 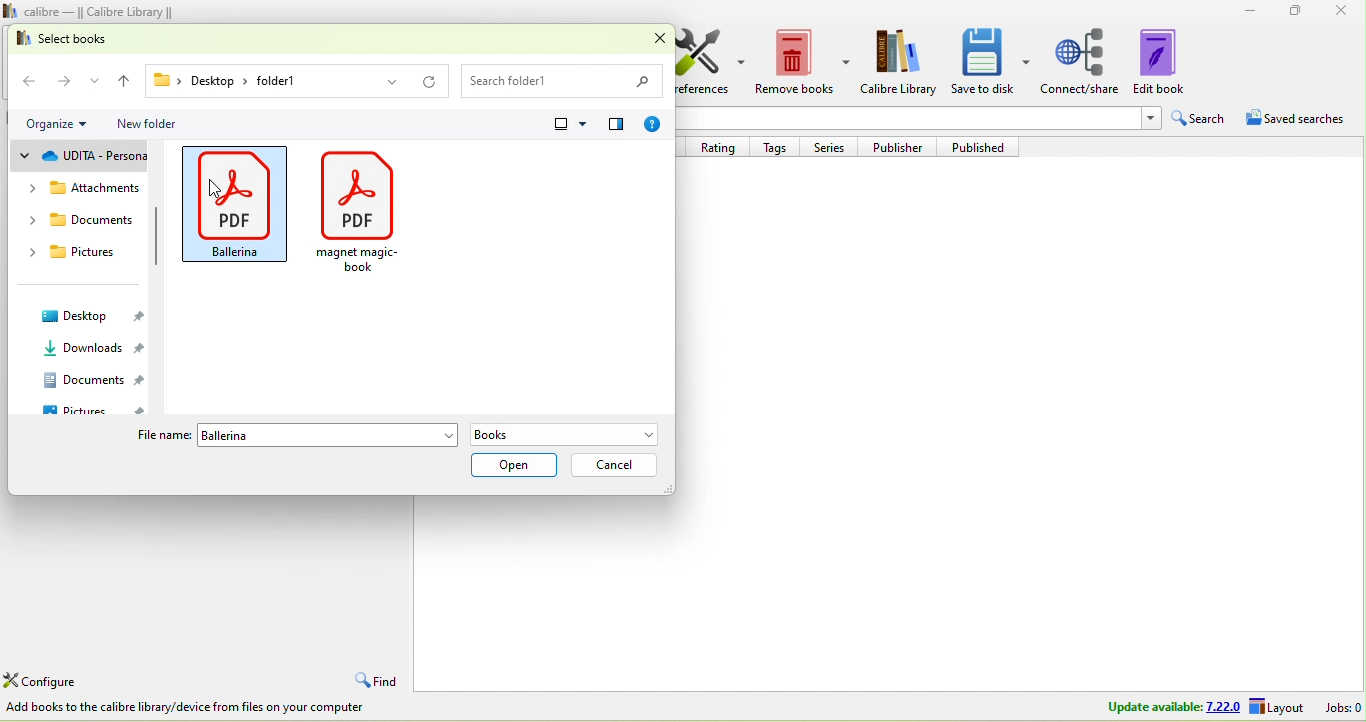 I want to click on udta-personal, so click(x=84, y=158).